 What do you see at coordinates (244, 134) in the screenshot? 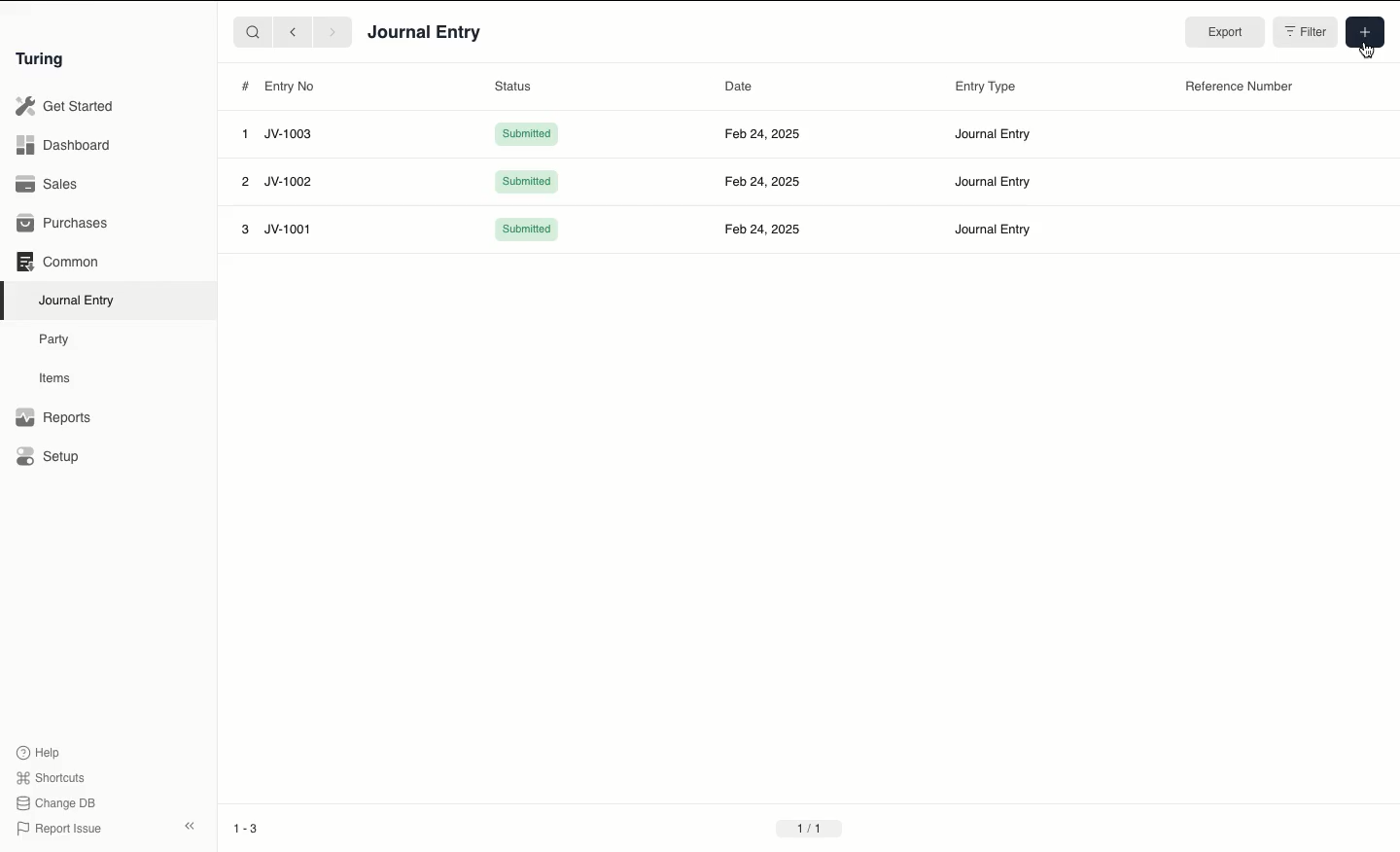
I see `1` at bounding box center [244, 134].